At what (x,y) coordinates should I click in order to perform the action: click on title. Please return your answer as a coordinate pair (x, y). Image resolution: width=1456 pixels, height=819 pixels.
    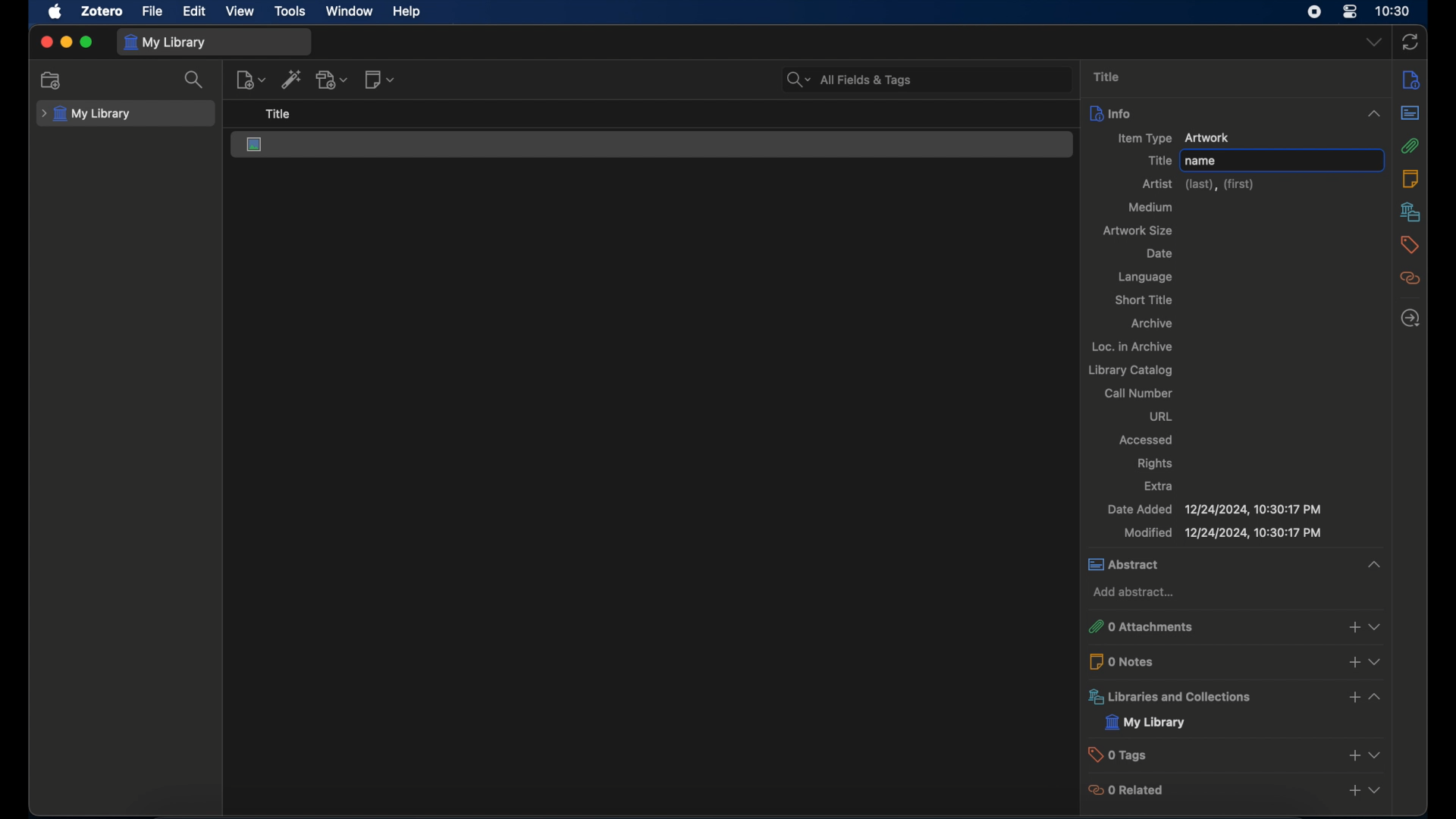
    Looking at the image, I should click on (277, 115).